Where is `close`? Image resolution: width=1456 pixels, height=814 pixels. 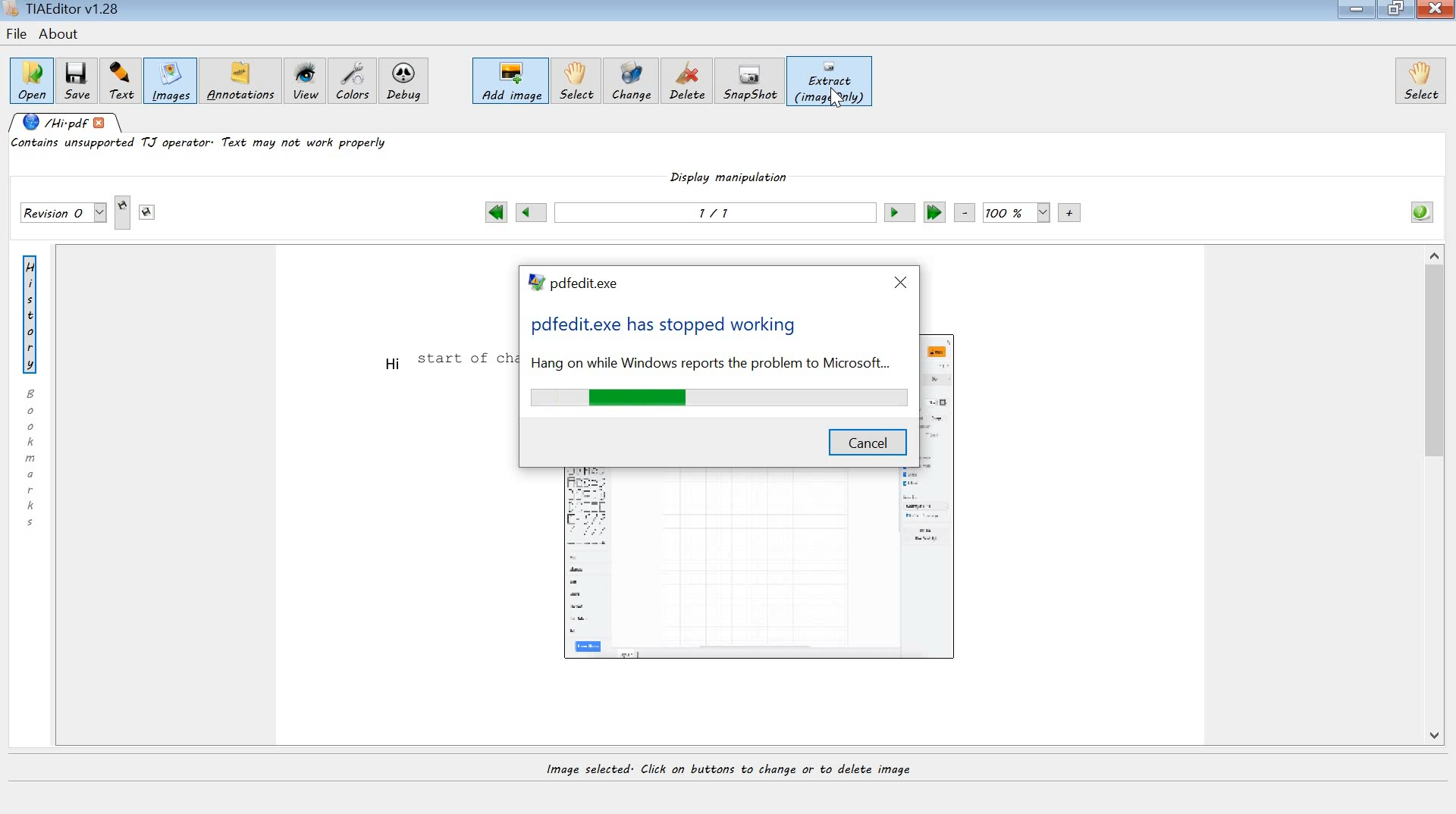
close is located at coordinates (1436, 10).